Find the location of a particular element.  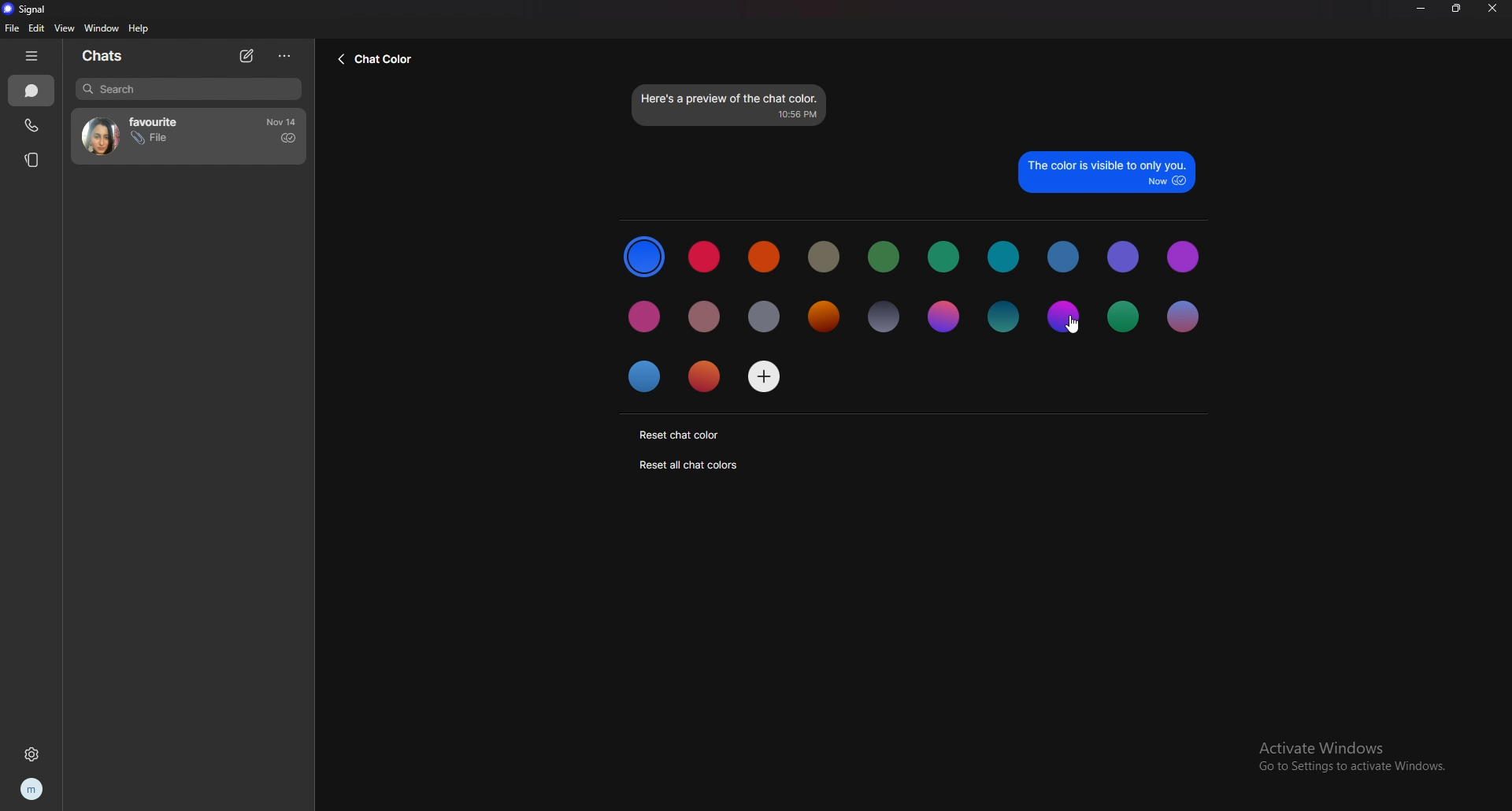

hide tab is located at coordinates (31, 56).